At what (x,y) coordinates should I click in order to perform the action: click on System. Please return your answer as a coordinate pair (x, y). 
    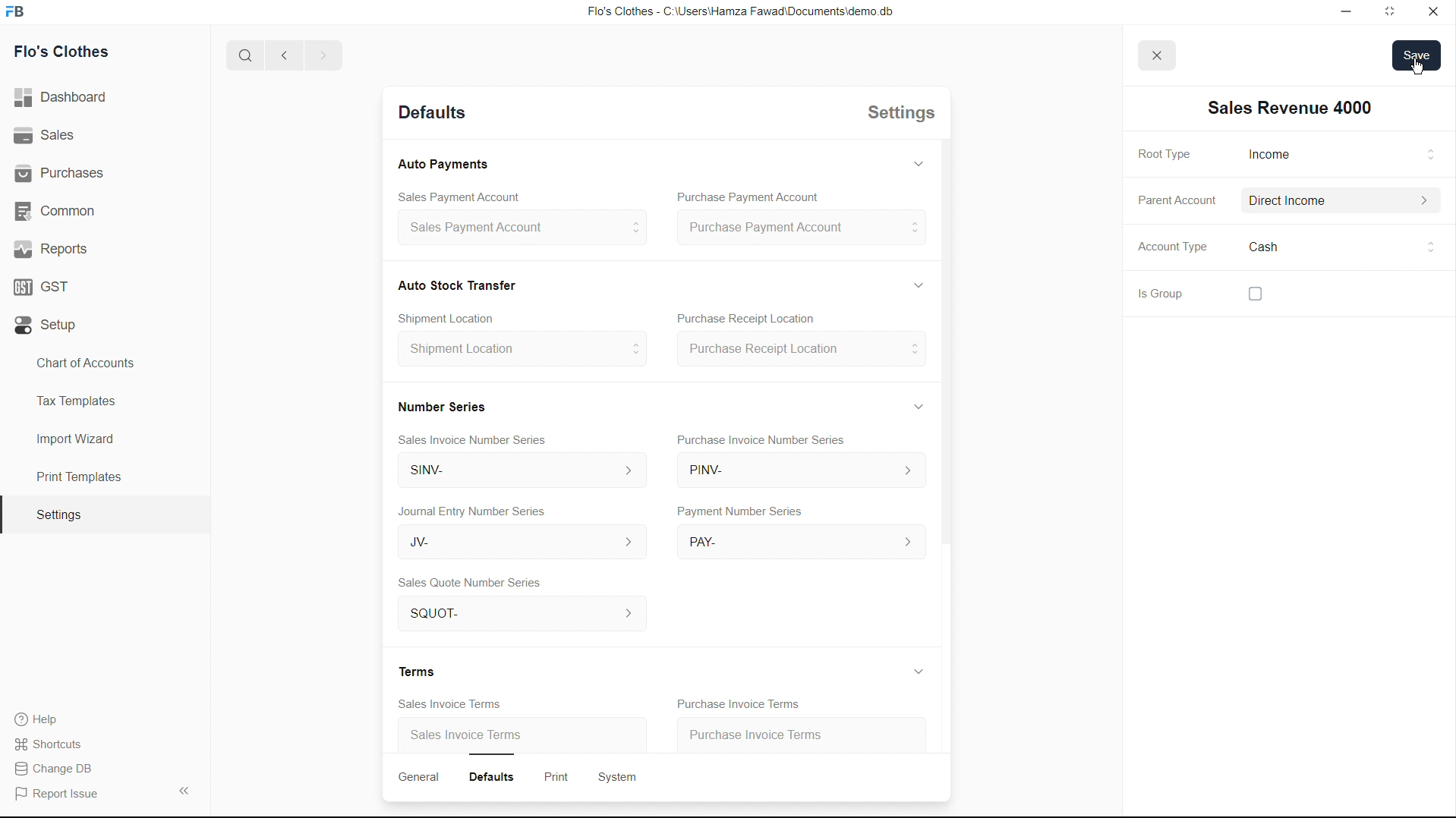
    Looking at the image, I should click on (622, 776).